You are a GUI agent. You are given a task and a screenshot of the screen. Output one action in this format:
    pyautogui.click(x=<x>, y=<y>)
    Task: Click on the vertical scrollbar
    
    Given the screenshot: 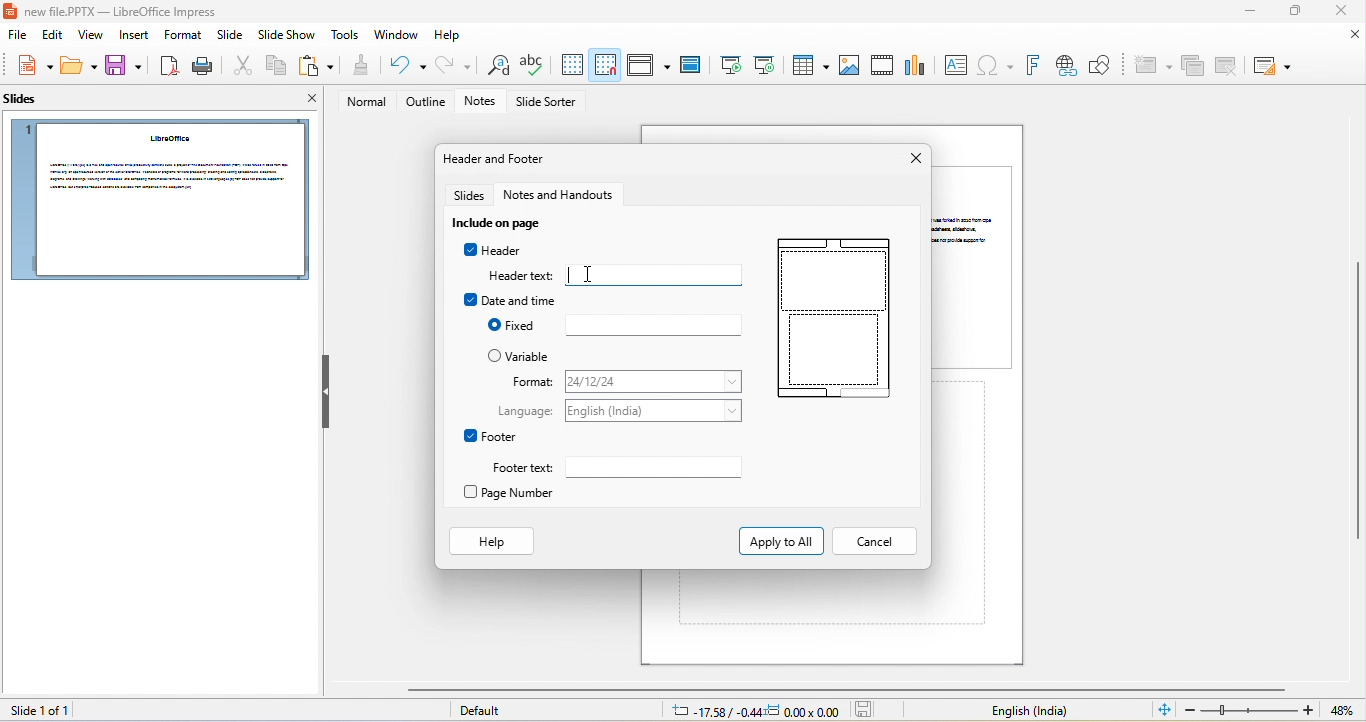 What is the action you would take?
    pyautogui.click(x=1357, y=402)
    